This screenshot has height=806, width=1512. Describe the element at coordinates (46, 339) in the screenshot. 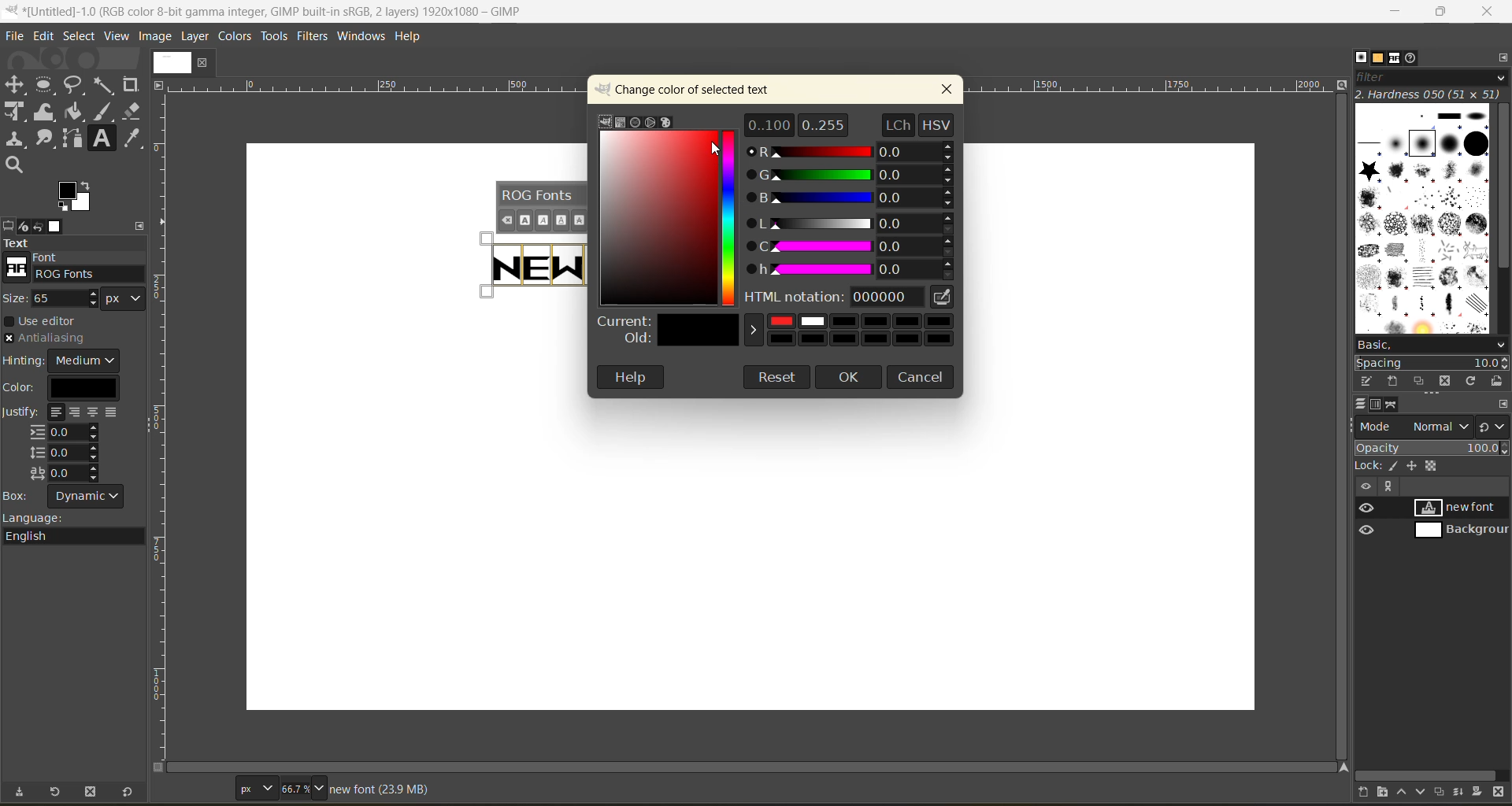

I see `antialiasing` at that location.